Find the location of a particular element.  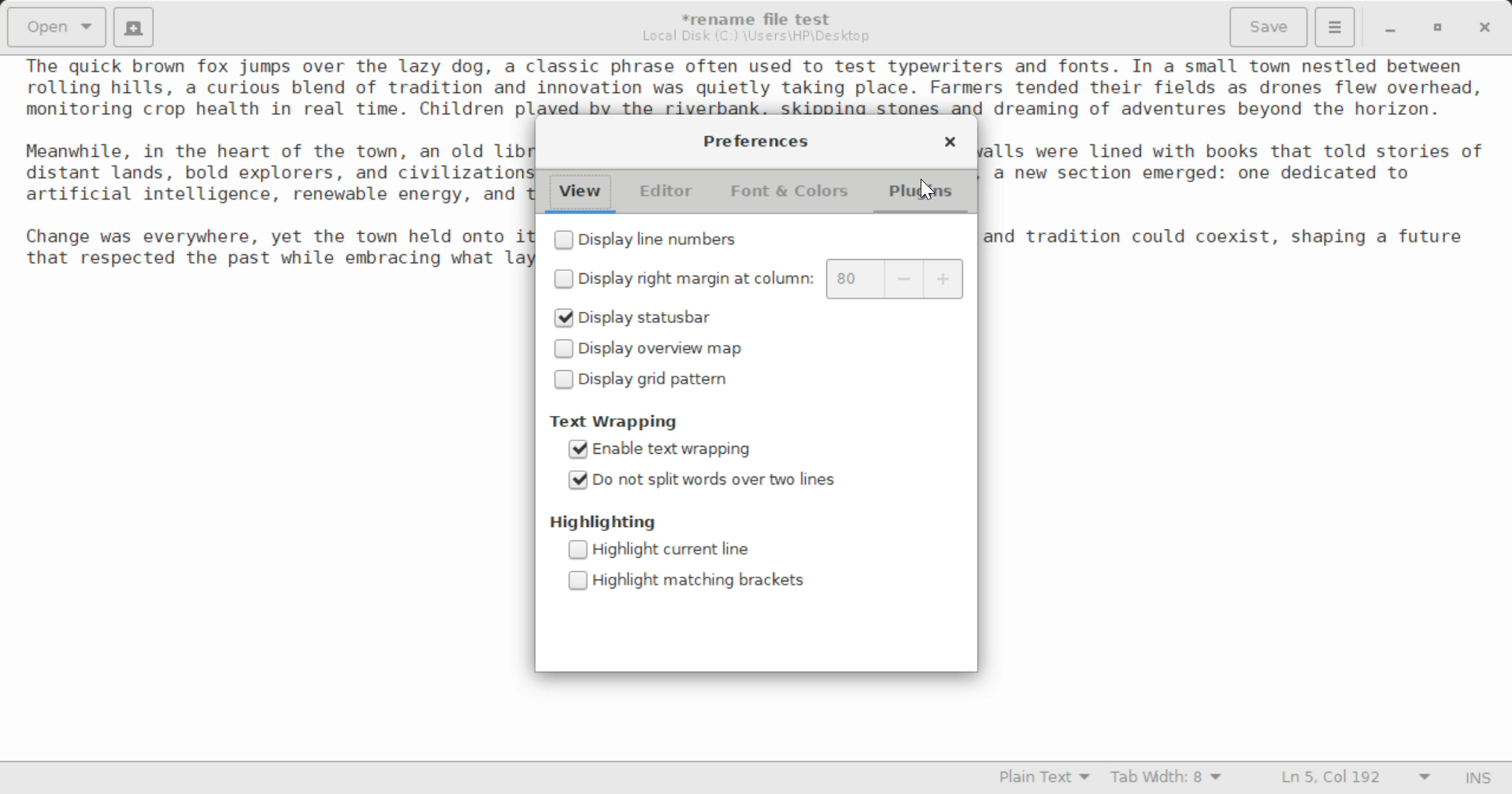

View Tab is located at coordinates (580, 195).